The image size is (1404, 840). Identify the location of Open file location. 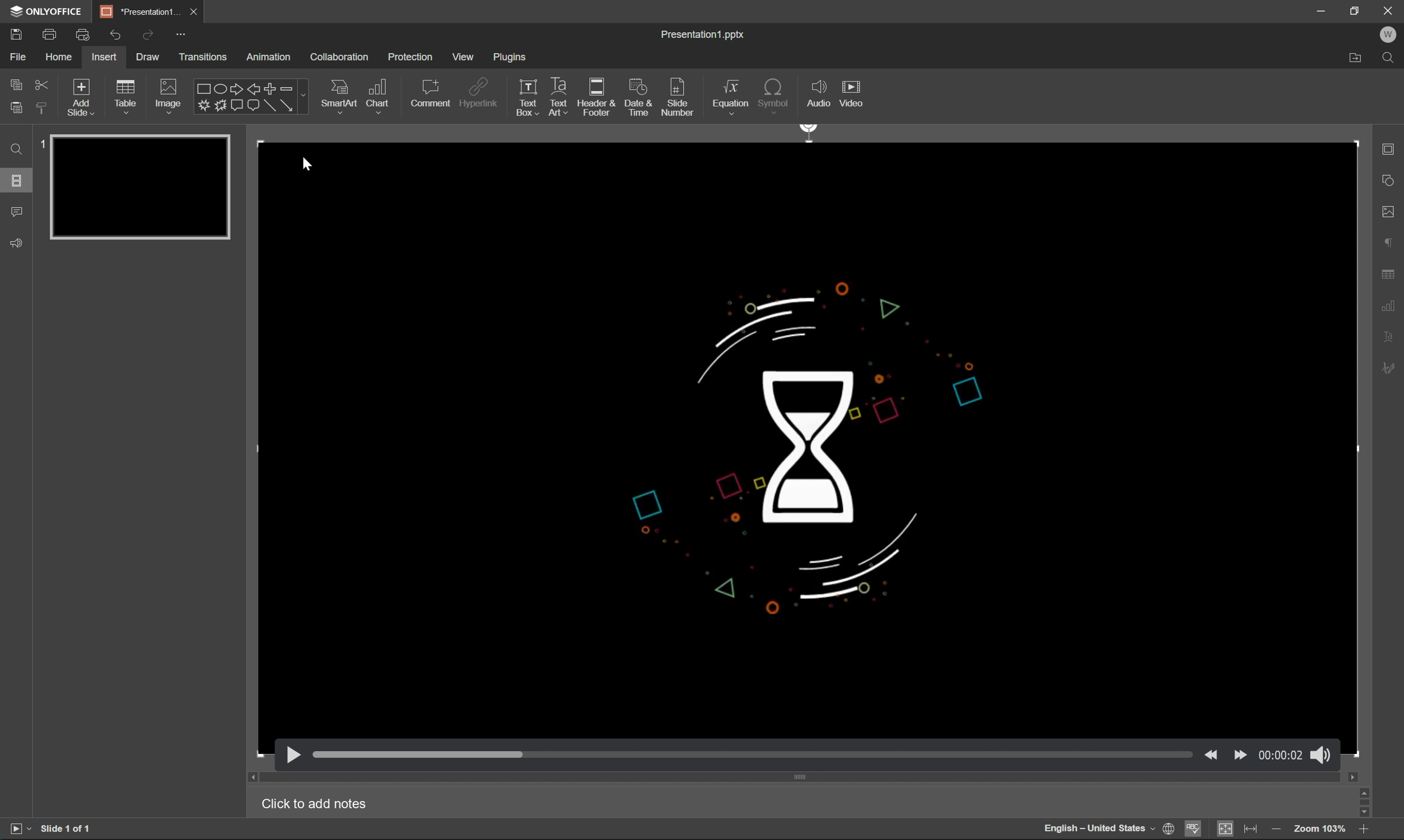
(1359, 58).